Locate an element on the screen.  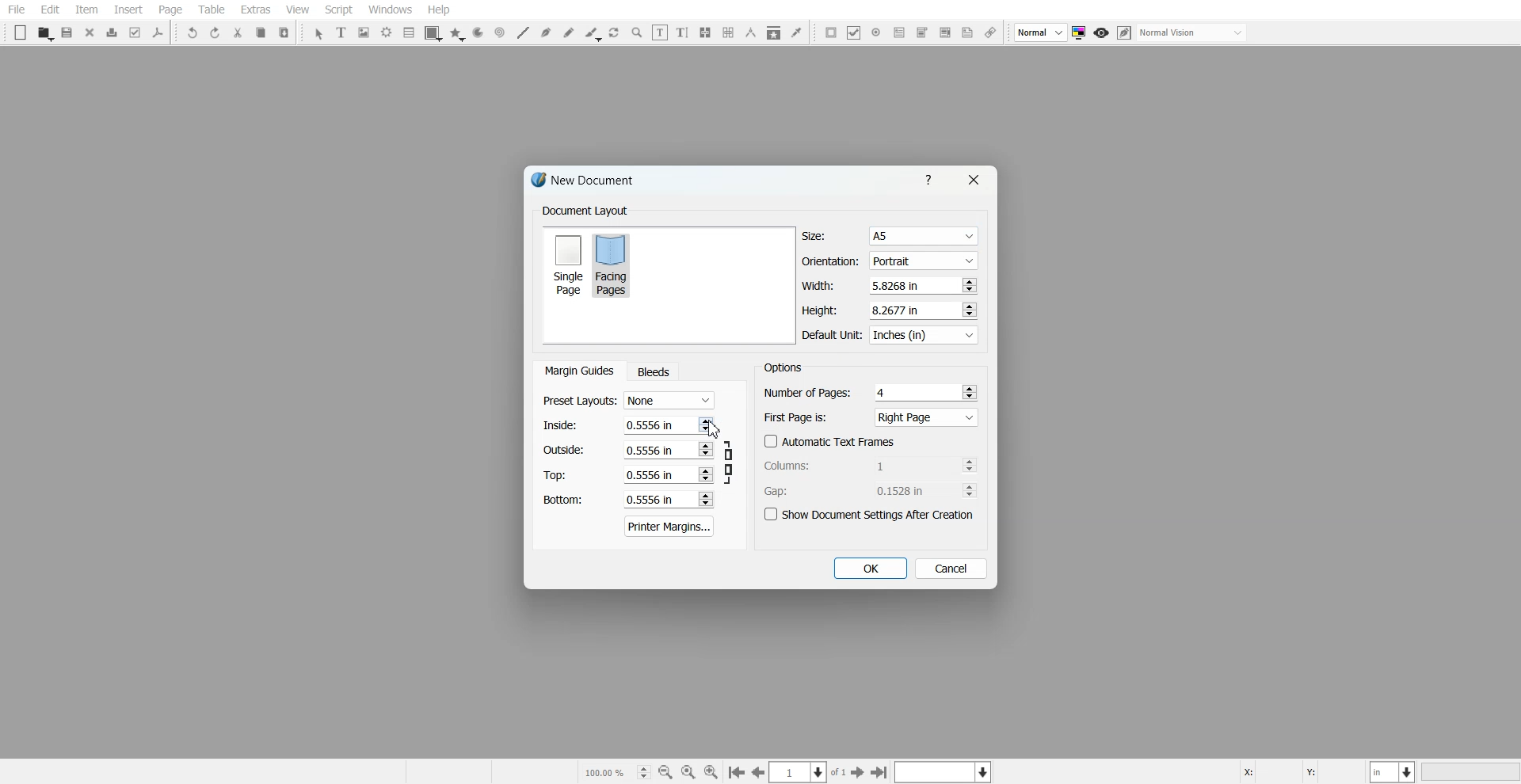
OK is located at coordinates (869, 569).